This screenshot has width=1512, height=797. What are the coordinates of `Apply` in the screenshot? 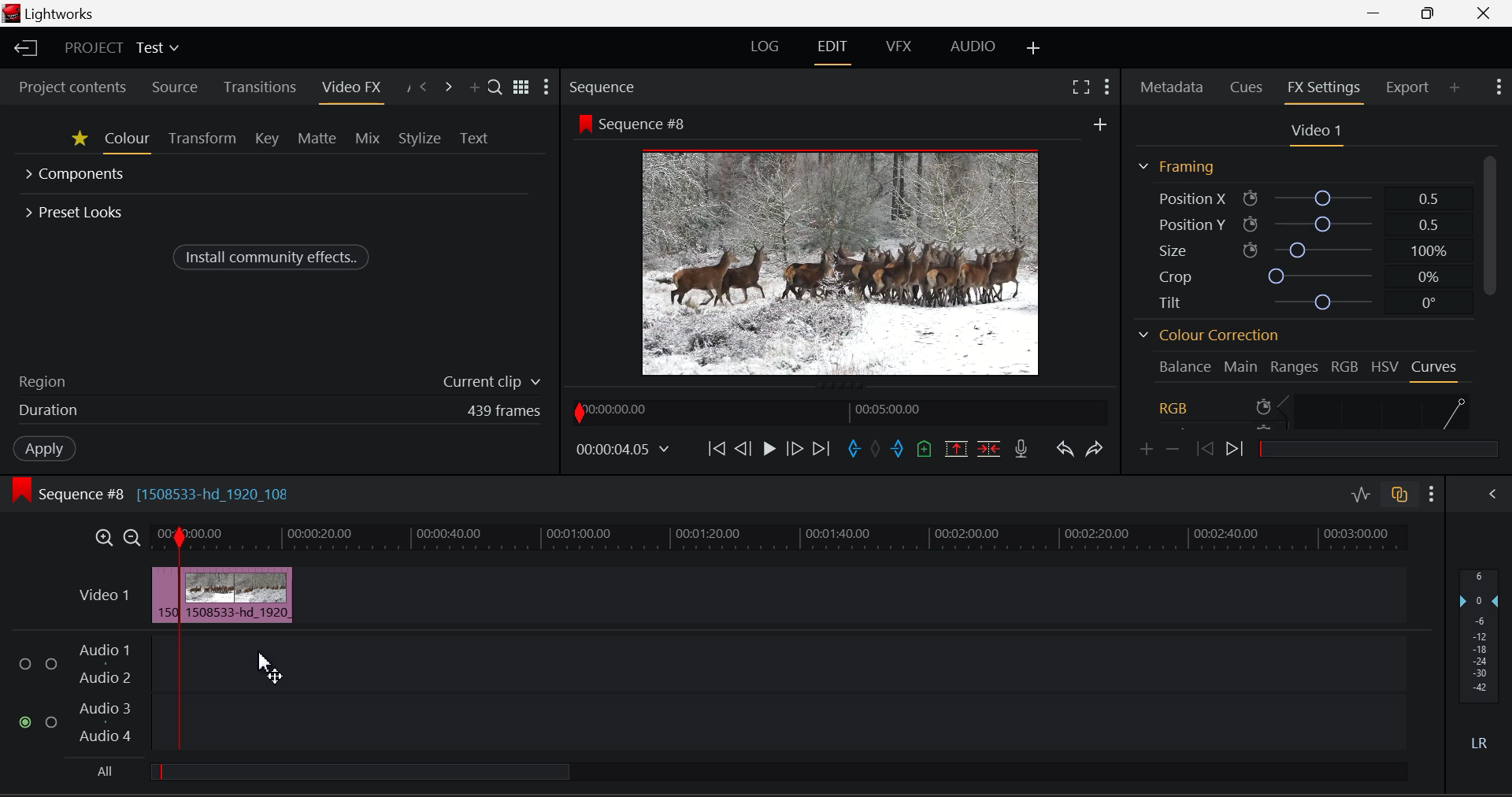 It's located at (43, 449).